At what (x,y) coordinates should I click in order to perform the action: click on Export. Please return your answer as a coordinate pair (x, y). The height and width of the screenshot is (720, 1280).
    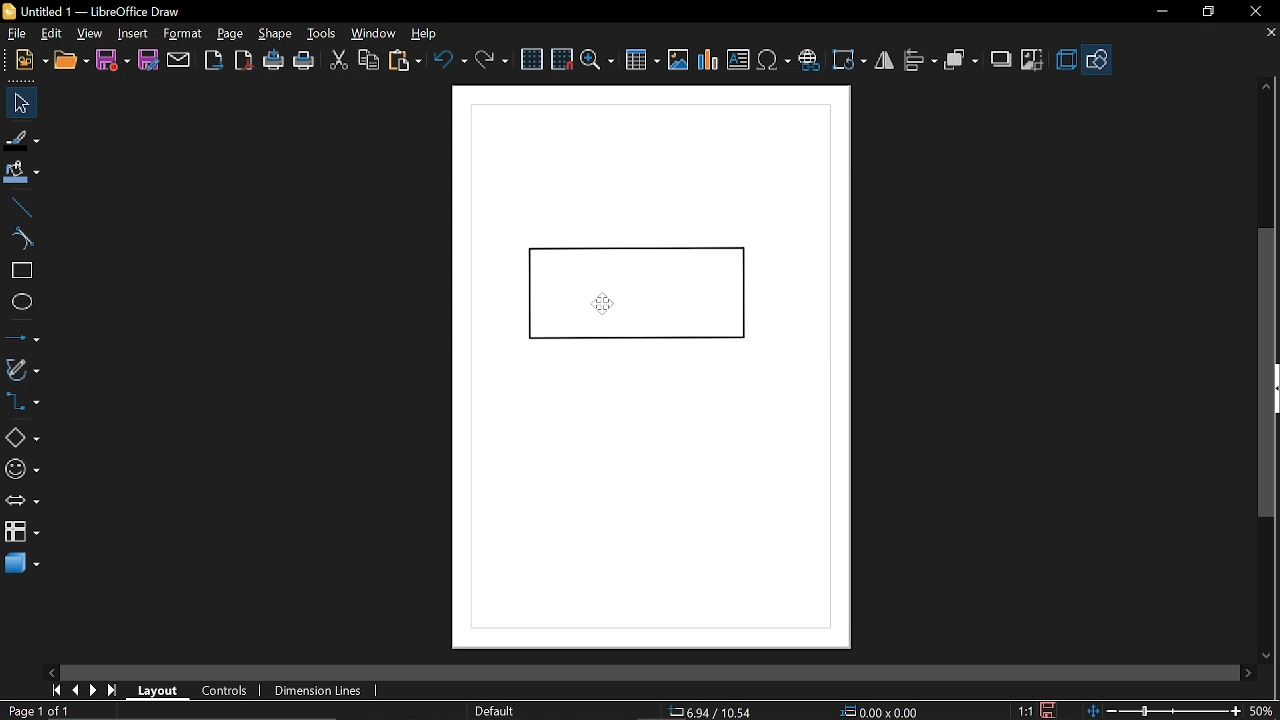
    Looking at the image, I should click on (214, 60).